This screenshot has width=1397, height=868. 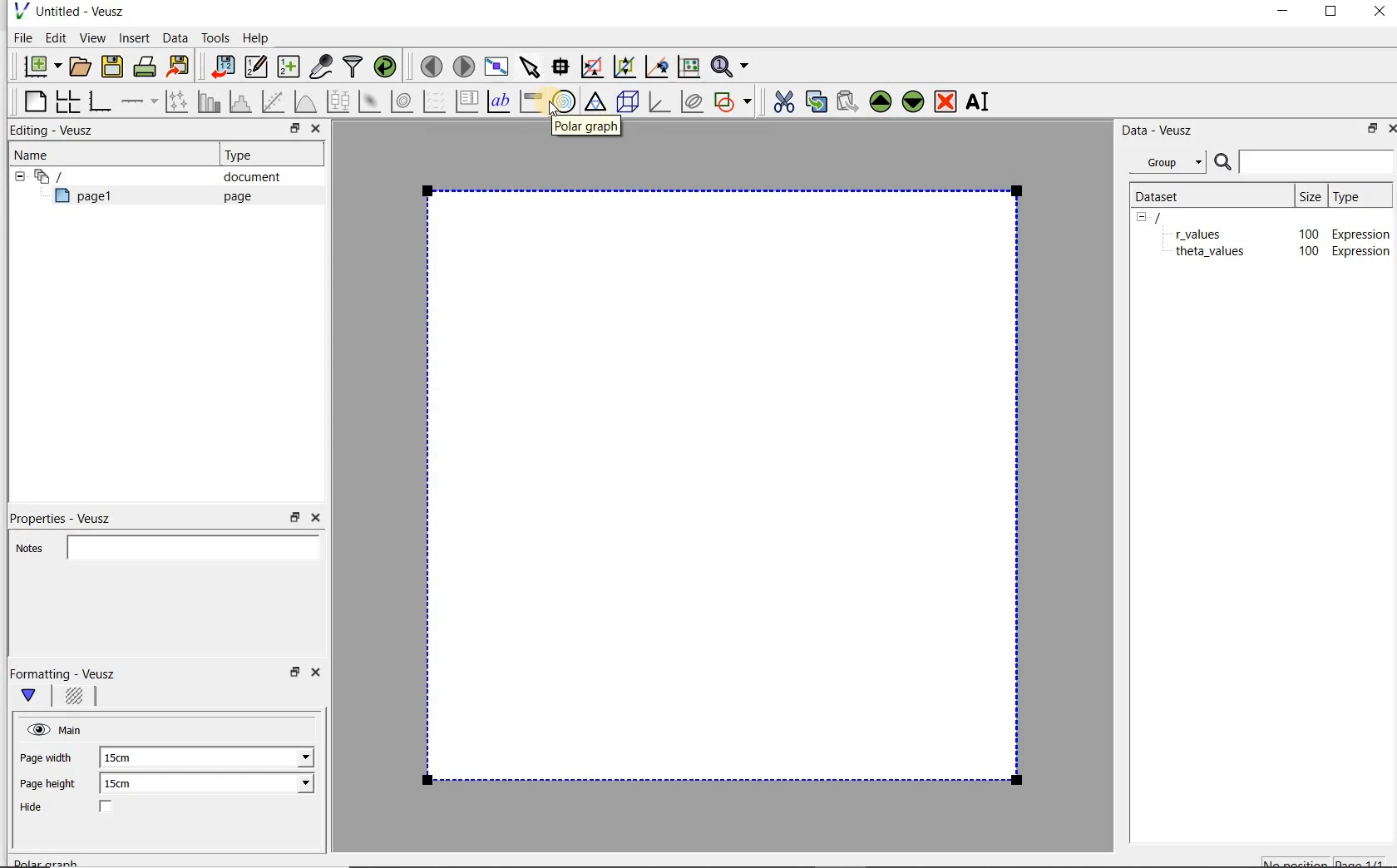 I want to click on text label, so click(x=501, y=101).